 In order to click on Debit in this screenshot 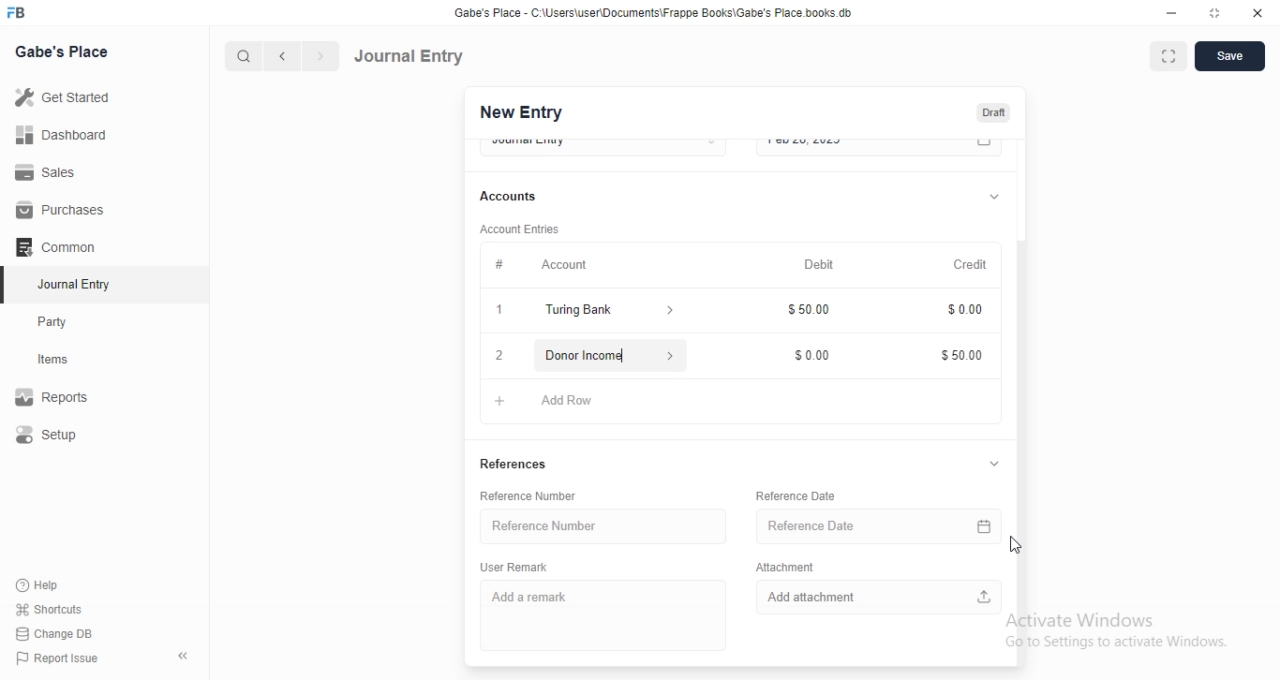, I will do `click(820, 265)`.